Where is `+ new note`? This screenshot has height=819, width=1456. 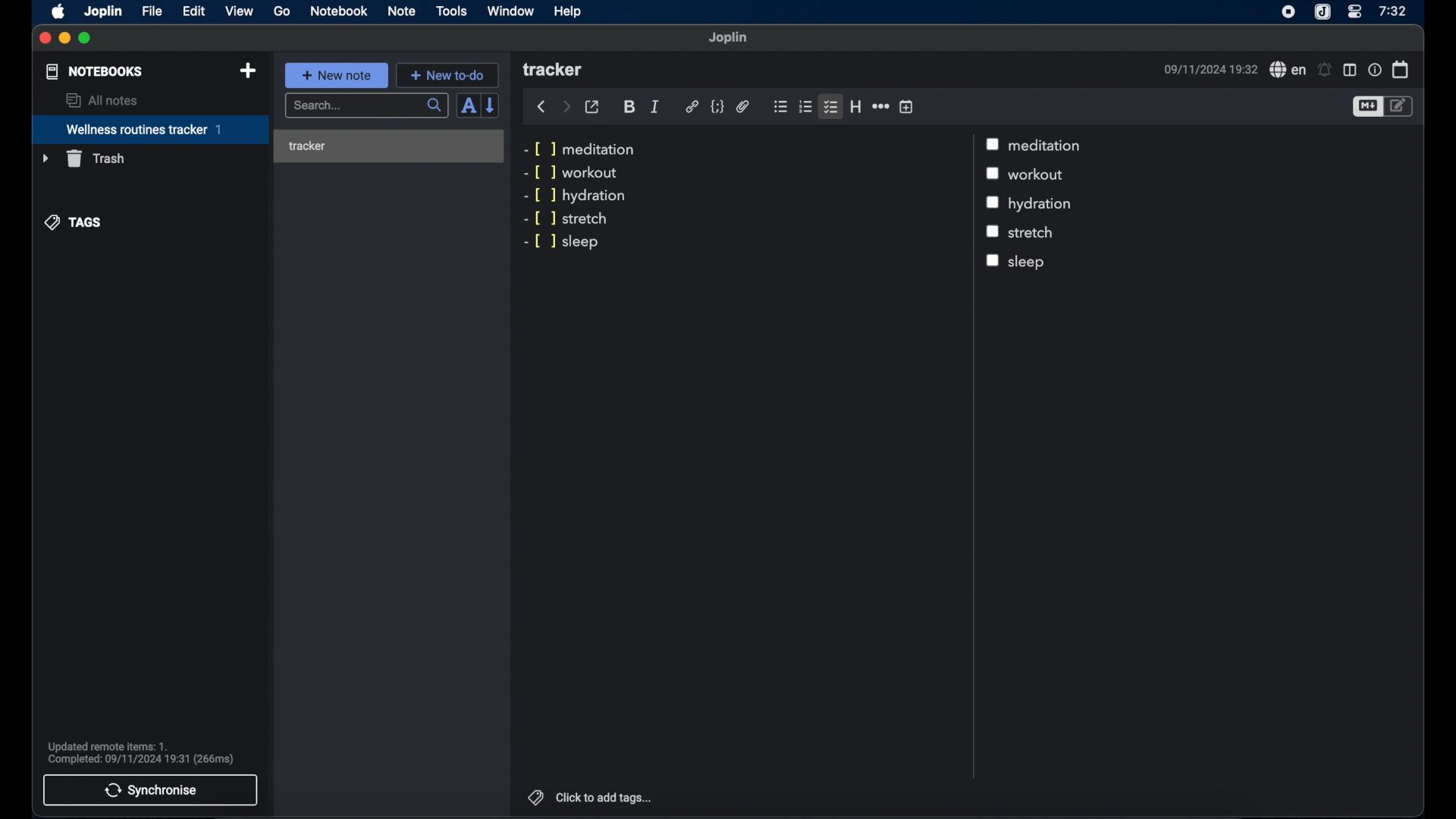 + new note is located at coordinates (337, 75).